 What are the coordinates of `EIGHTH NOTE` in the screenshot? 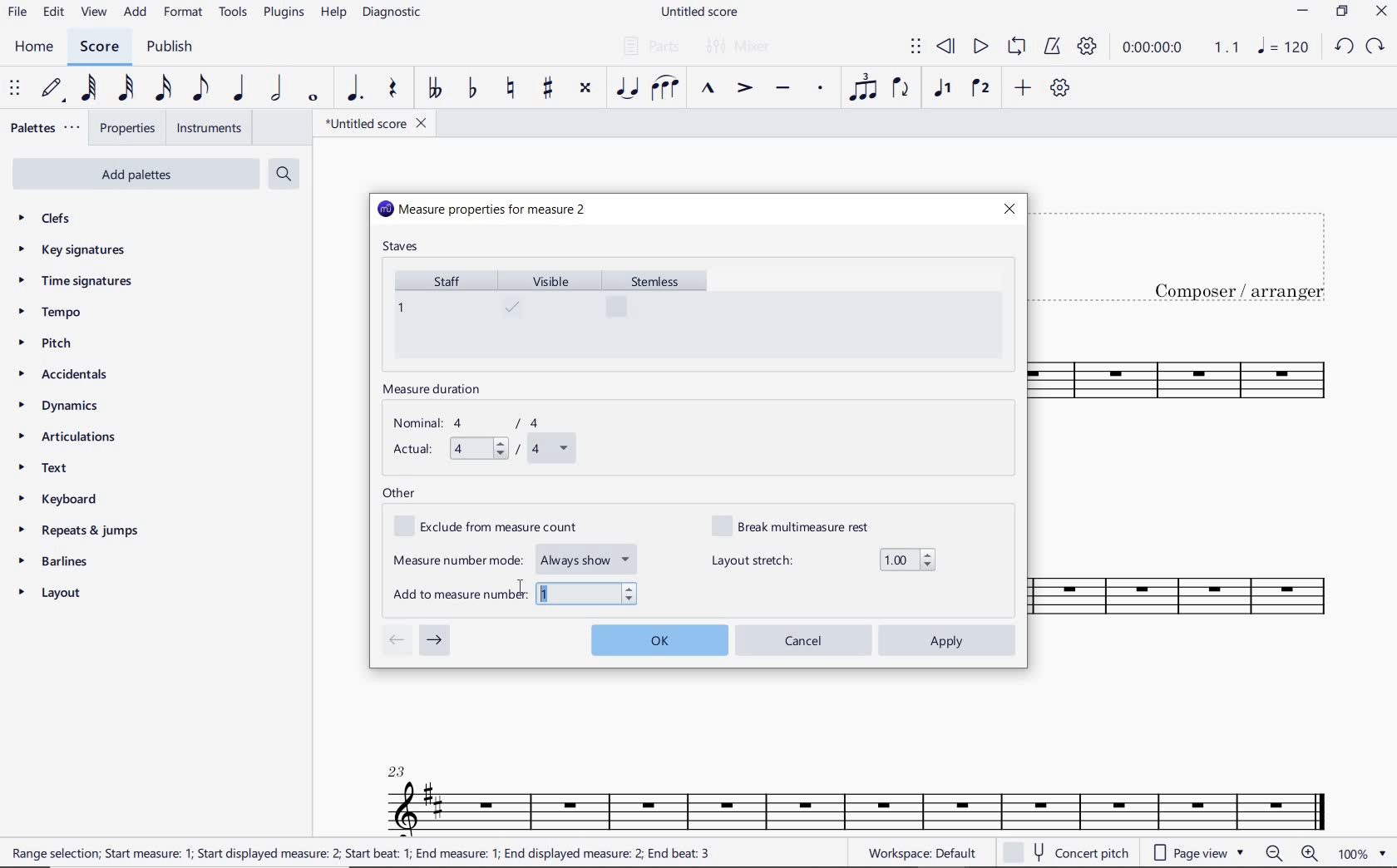 It's located at (199, 89).